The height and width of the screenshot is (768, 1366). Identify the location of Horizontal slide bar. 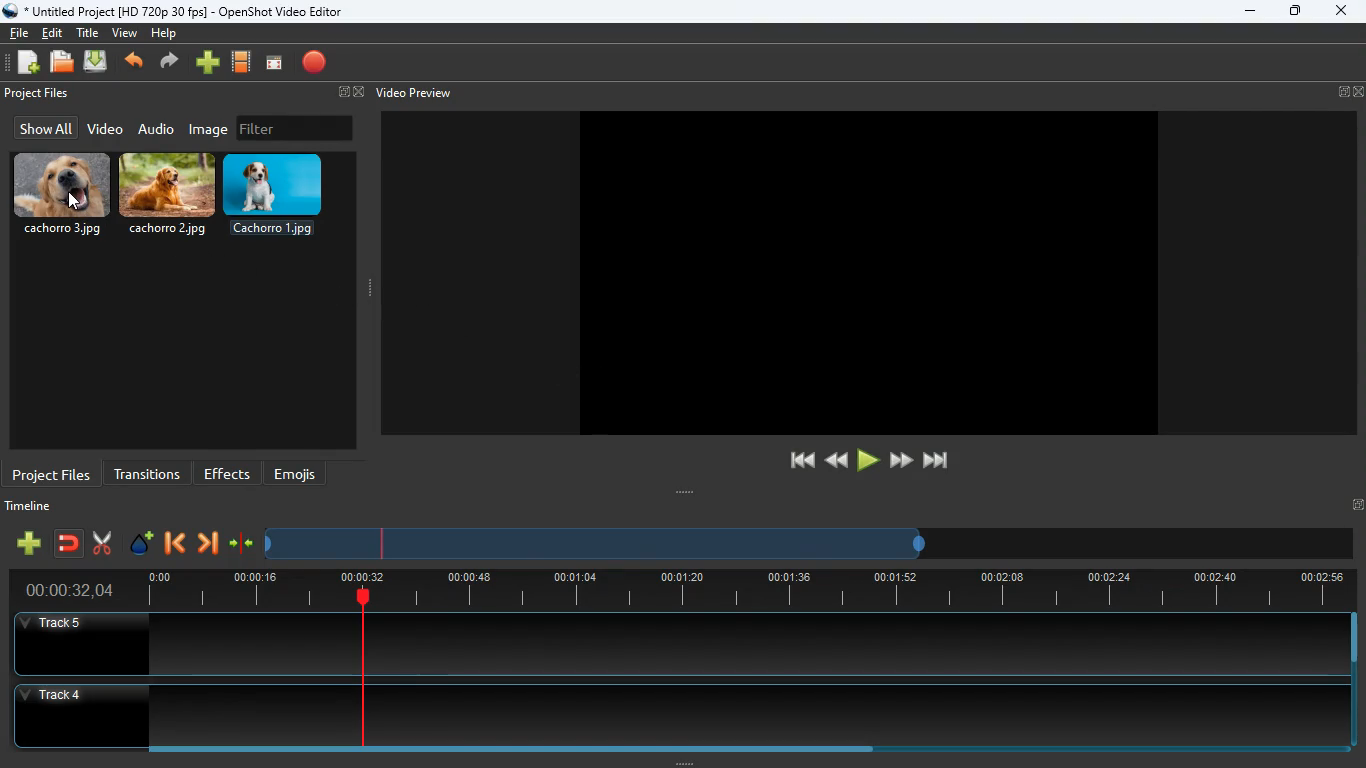
(735, 749).